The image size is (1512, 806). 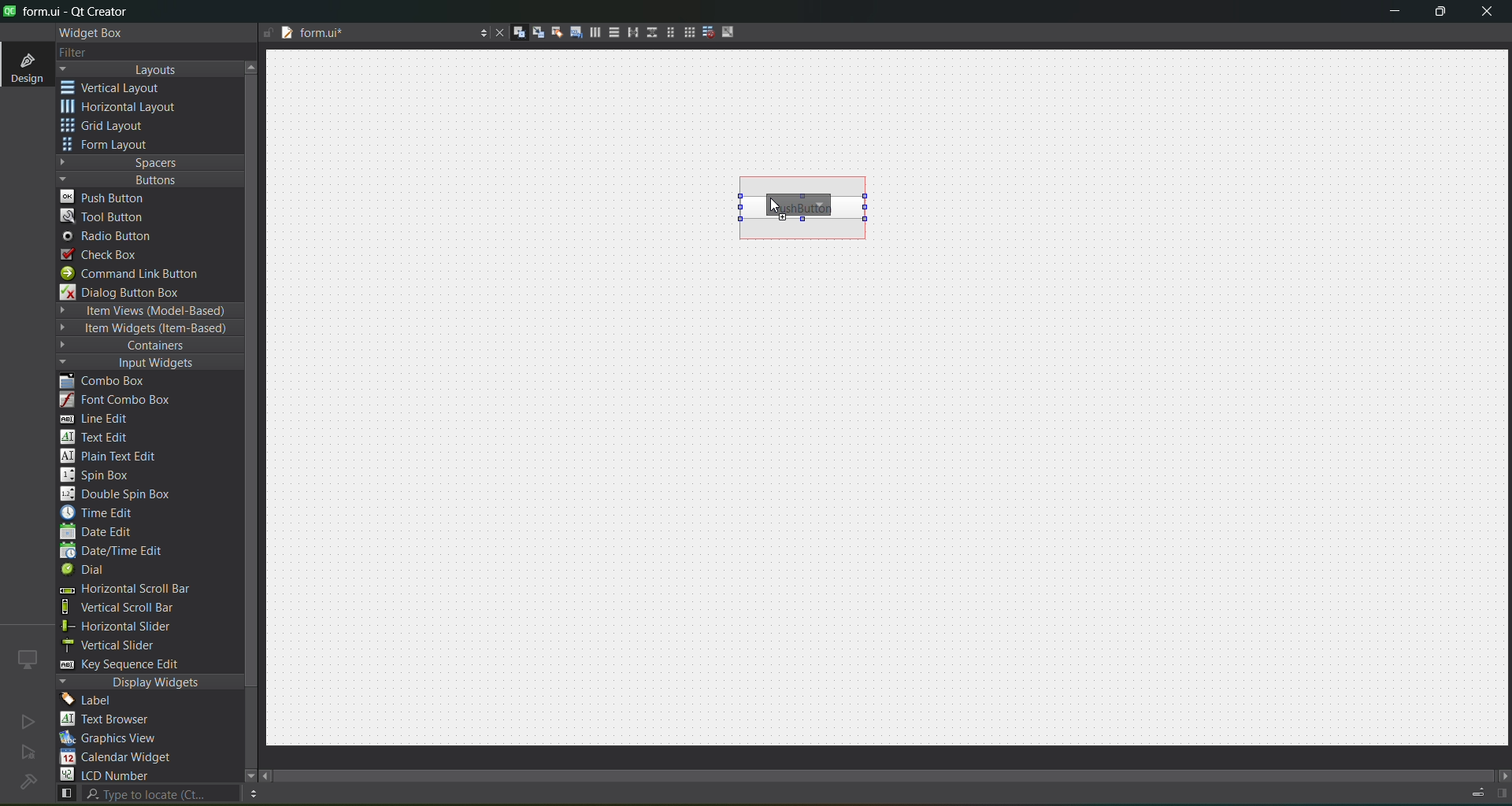 I want to click on move down, so click(x=243, y=774).